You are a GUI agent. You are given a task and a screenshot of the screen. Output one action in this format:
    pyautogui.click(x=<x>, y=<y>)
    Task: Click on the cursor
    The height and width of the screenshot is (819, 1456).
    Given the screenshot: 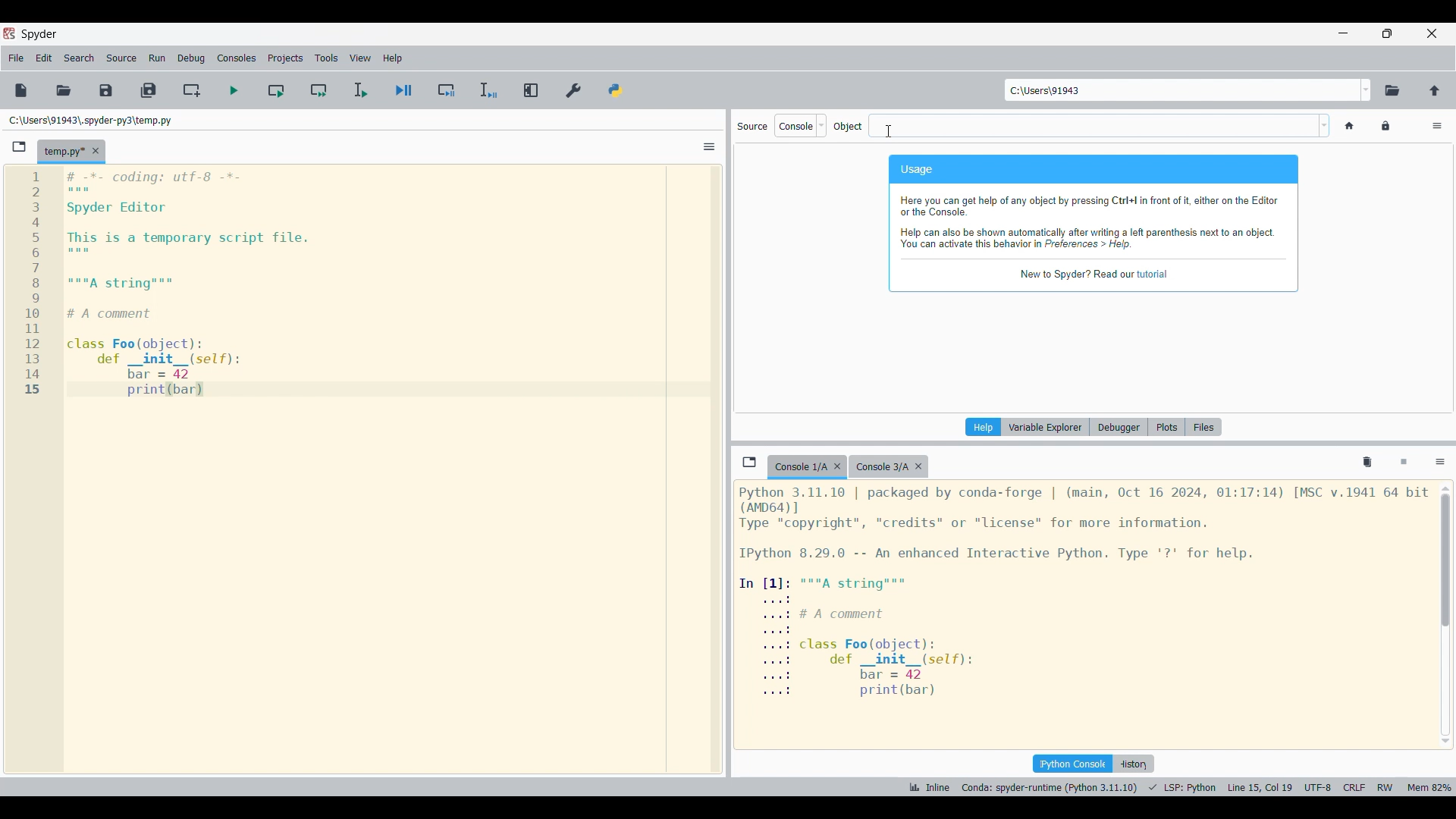 What is the action you would take?
    pyautogui.click(x=891, y=130)
    